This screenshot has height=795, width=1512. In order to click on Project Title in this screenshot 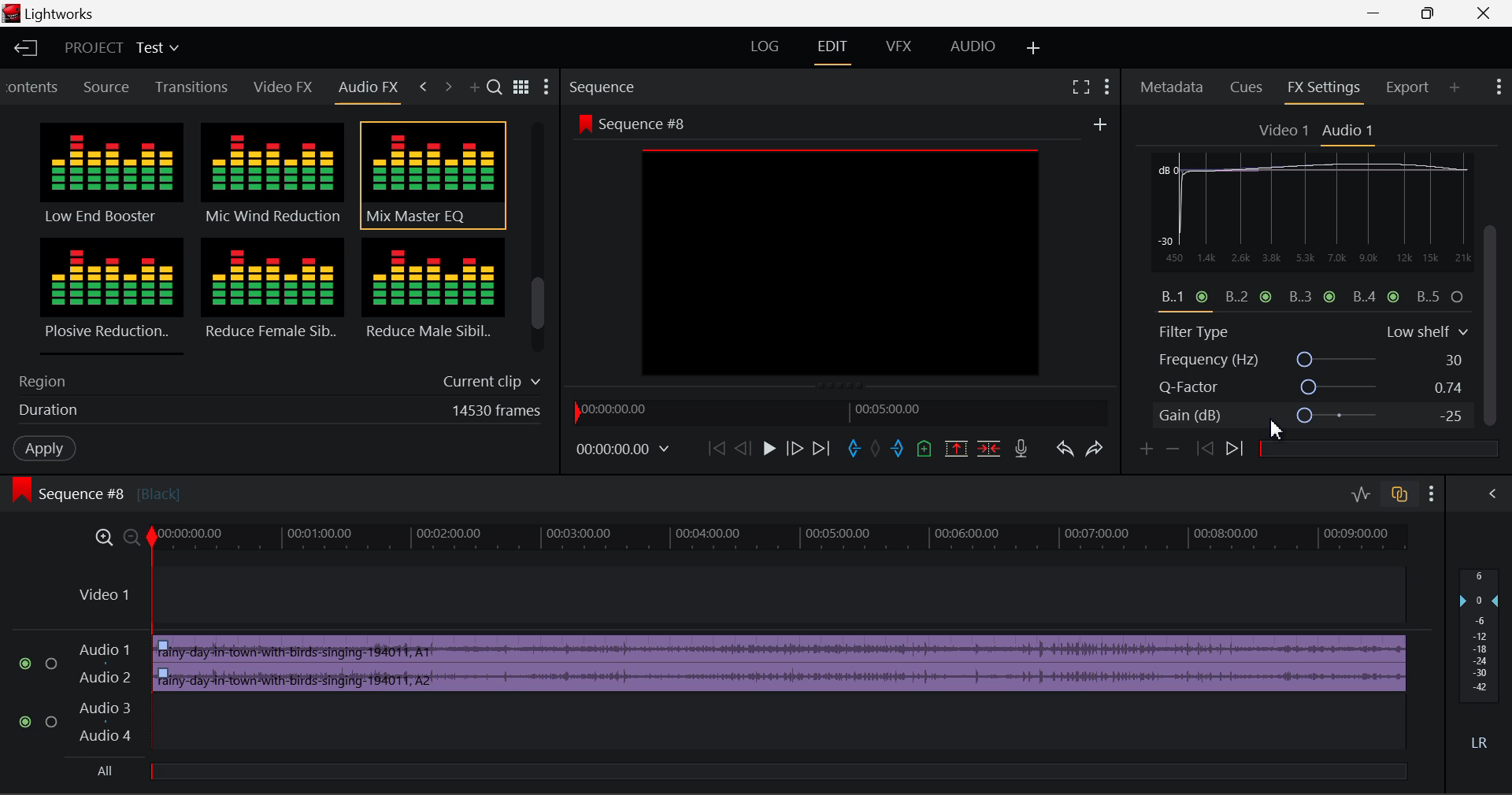, I will do `click(120, 47)`.